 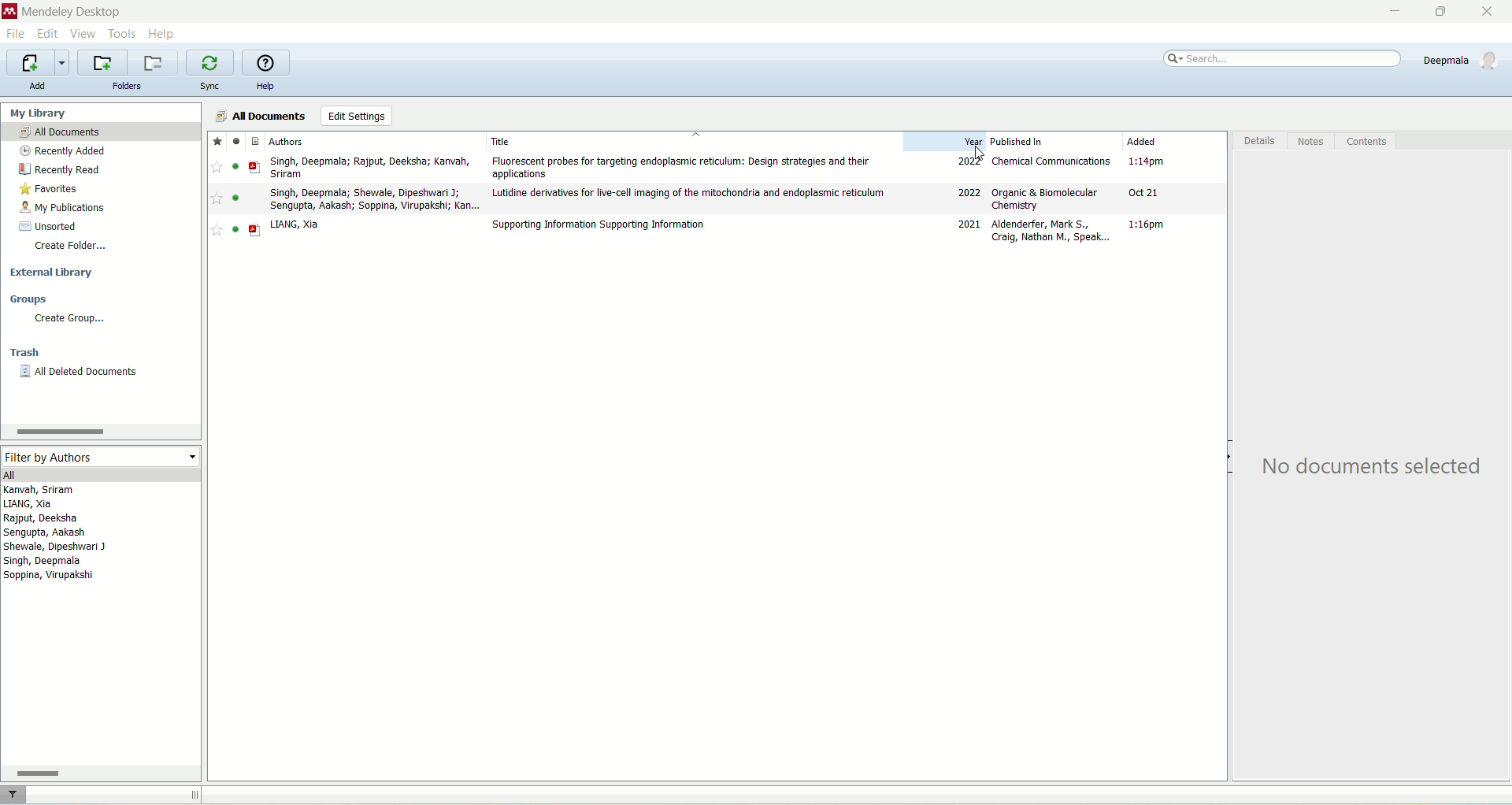 I want to click on remove current folder, so click(x=154, y=62).